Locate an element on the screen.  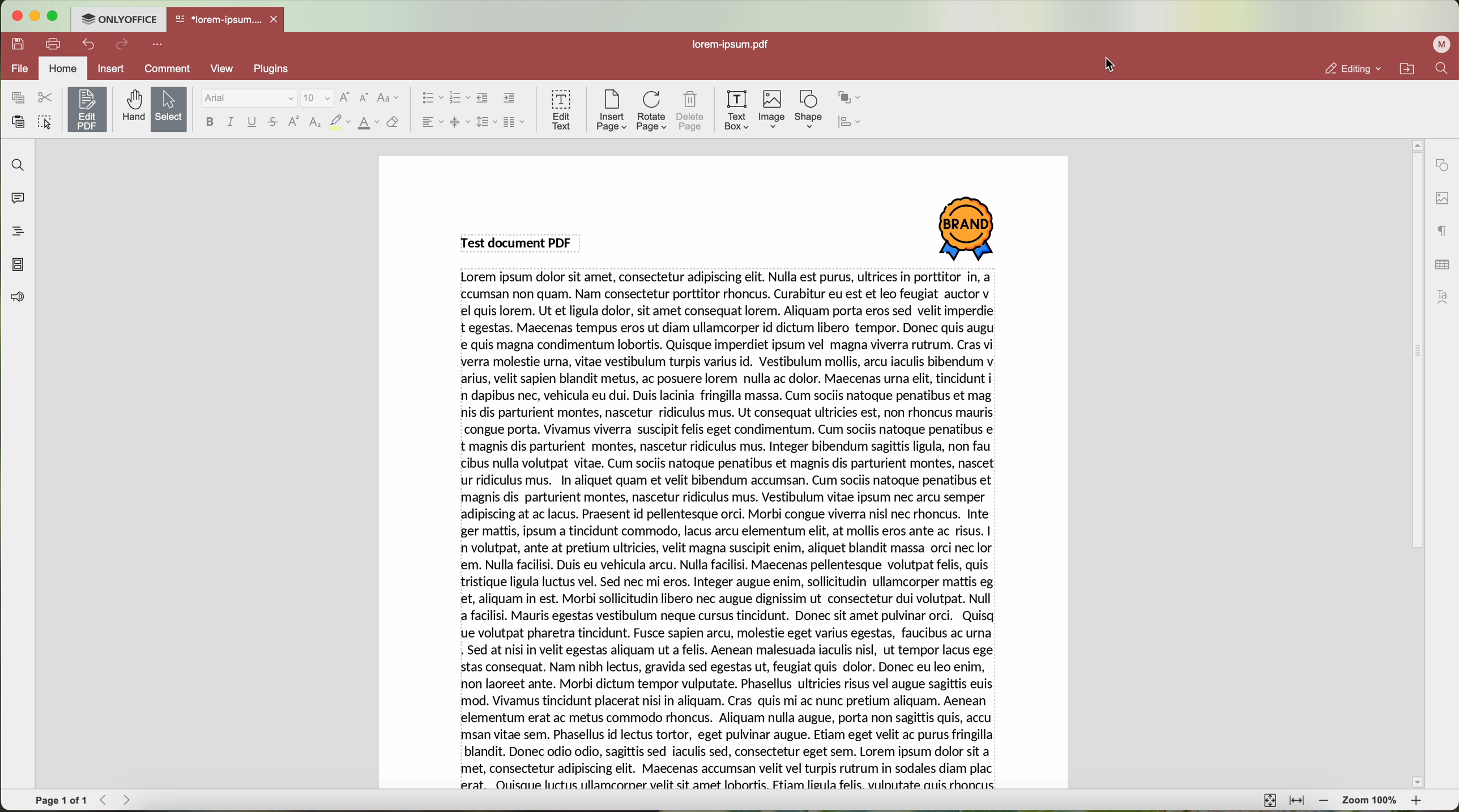
underline is located at coordinates (253, 124).